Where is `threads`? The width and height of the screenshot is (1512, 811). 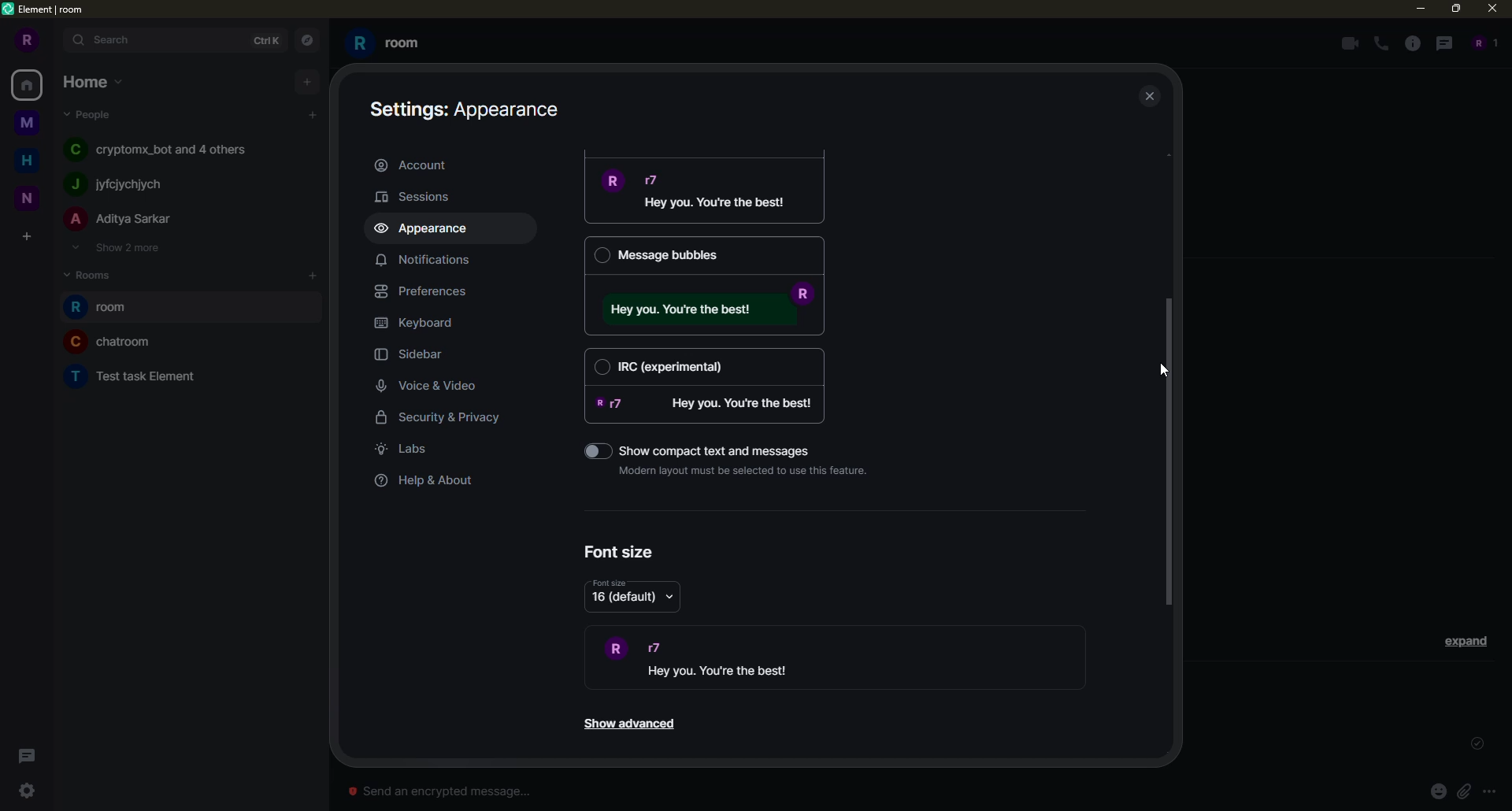 threads is located at coordinates (24, 756).